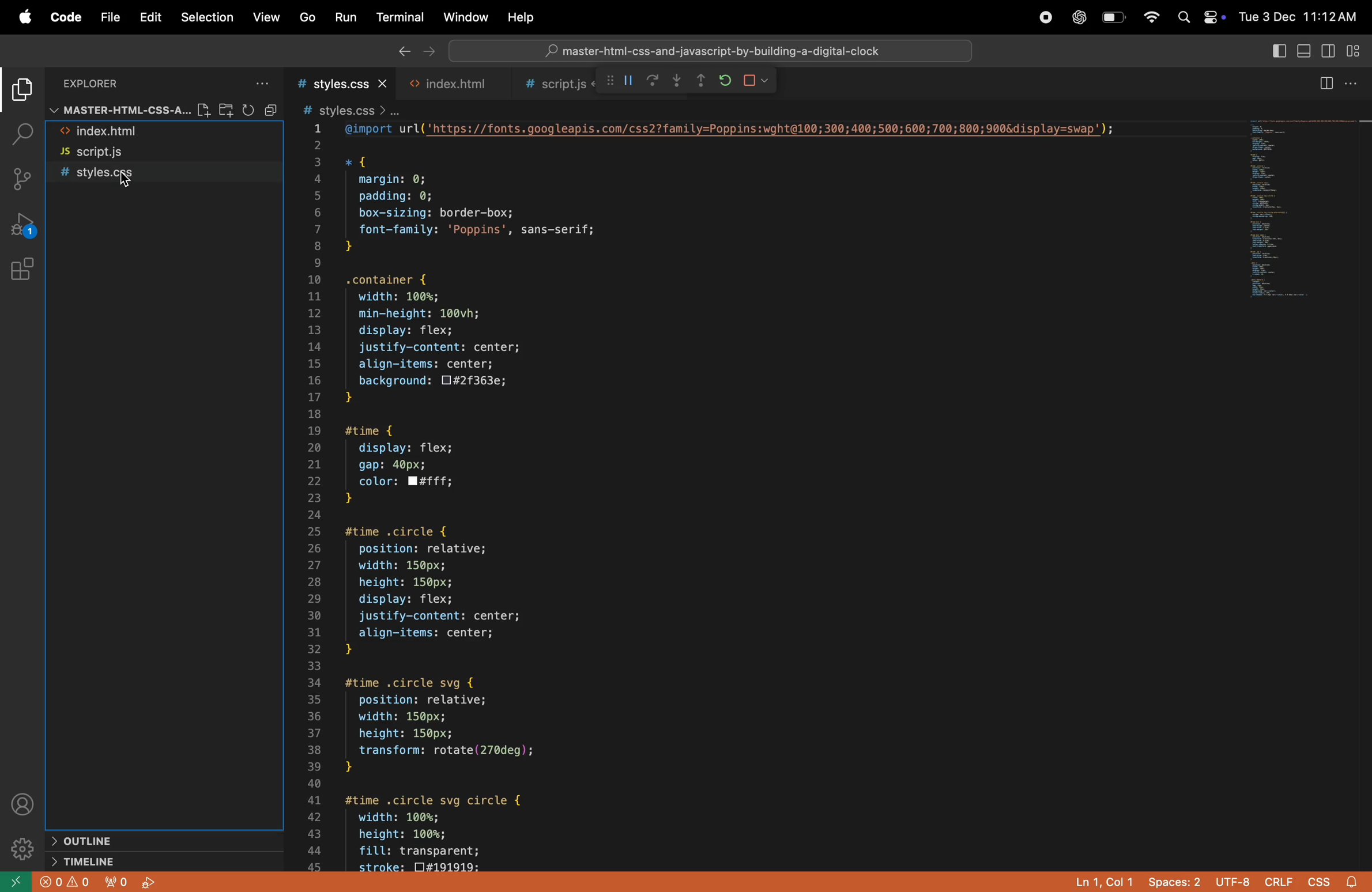 The height and width of the screenshot is (892, 1372). I want to click on next, so click(429, 52).